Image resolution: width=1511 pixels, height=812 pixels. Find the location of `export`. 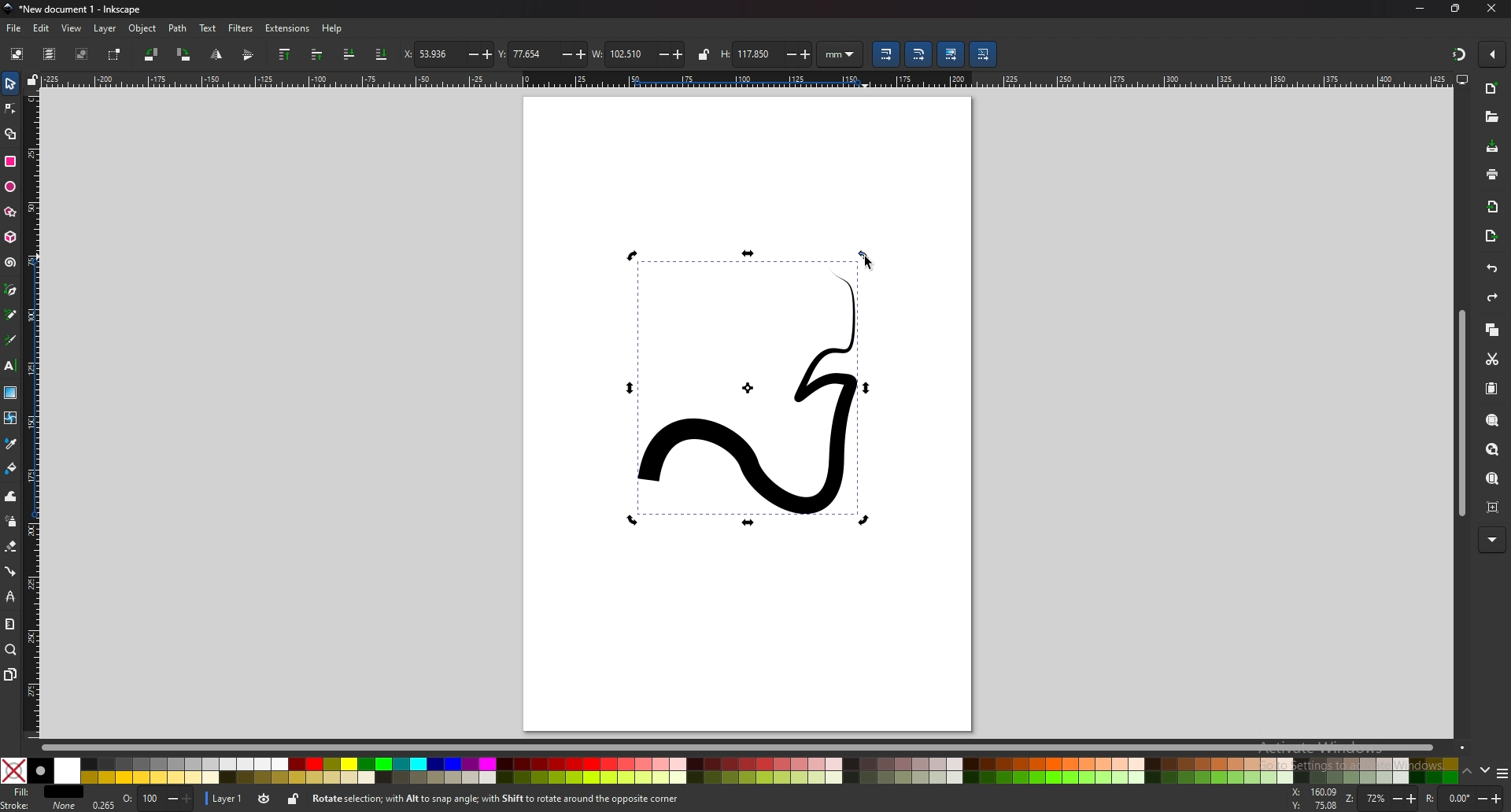

export is located at coordinates (1493, 236).